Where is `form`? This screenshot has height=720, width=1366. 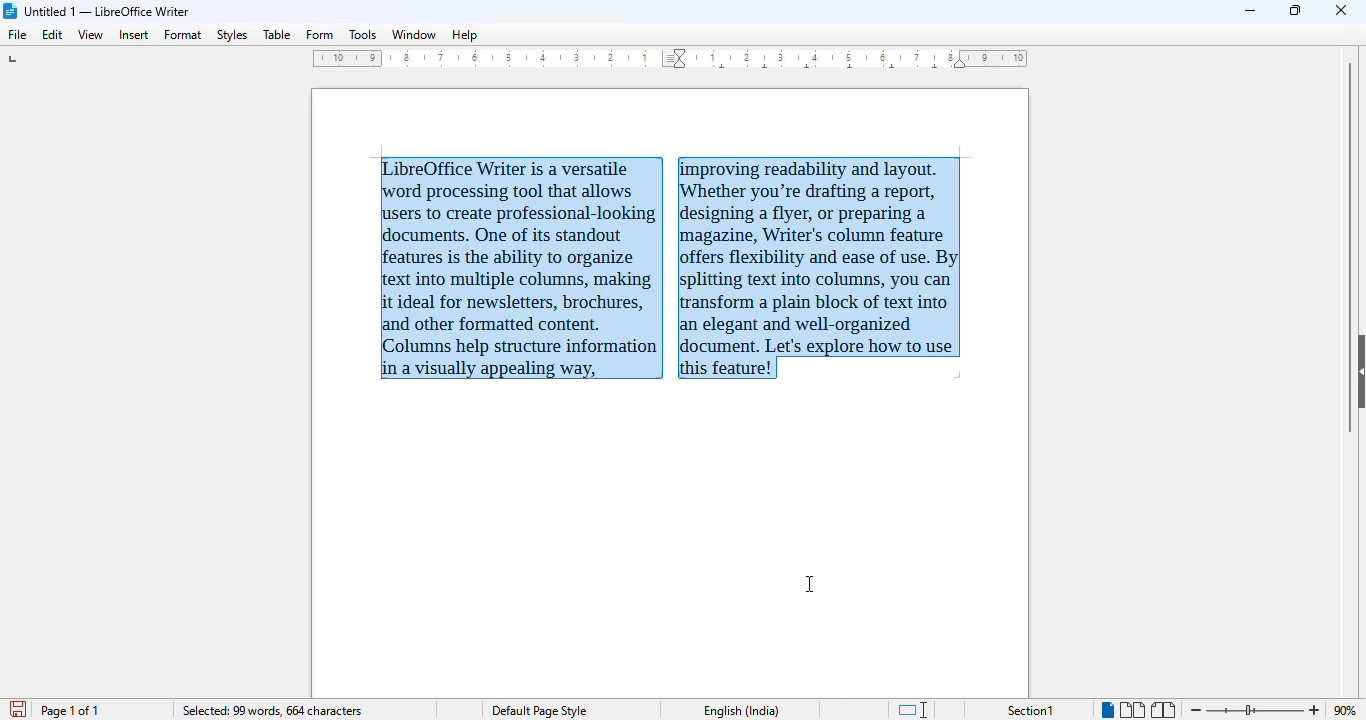 form is located at coordinates (320, 35).